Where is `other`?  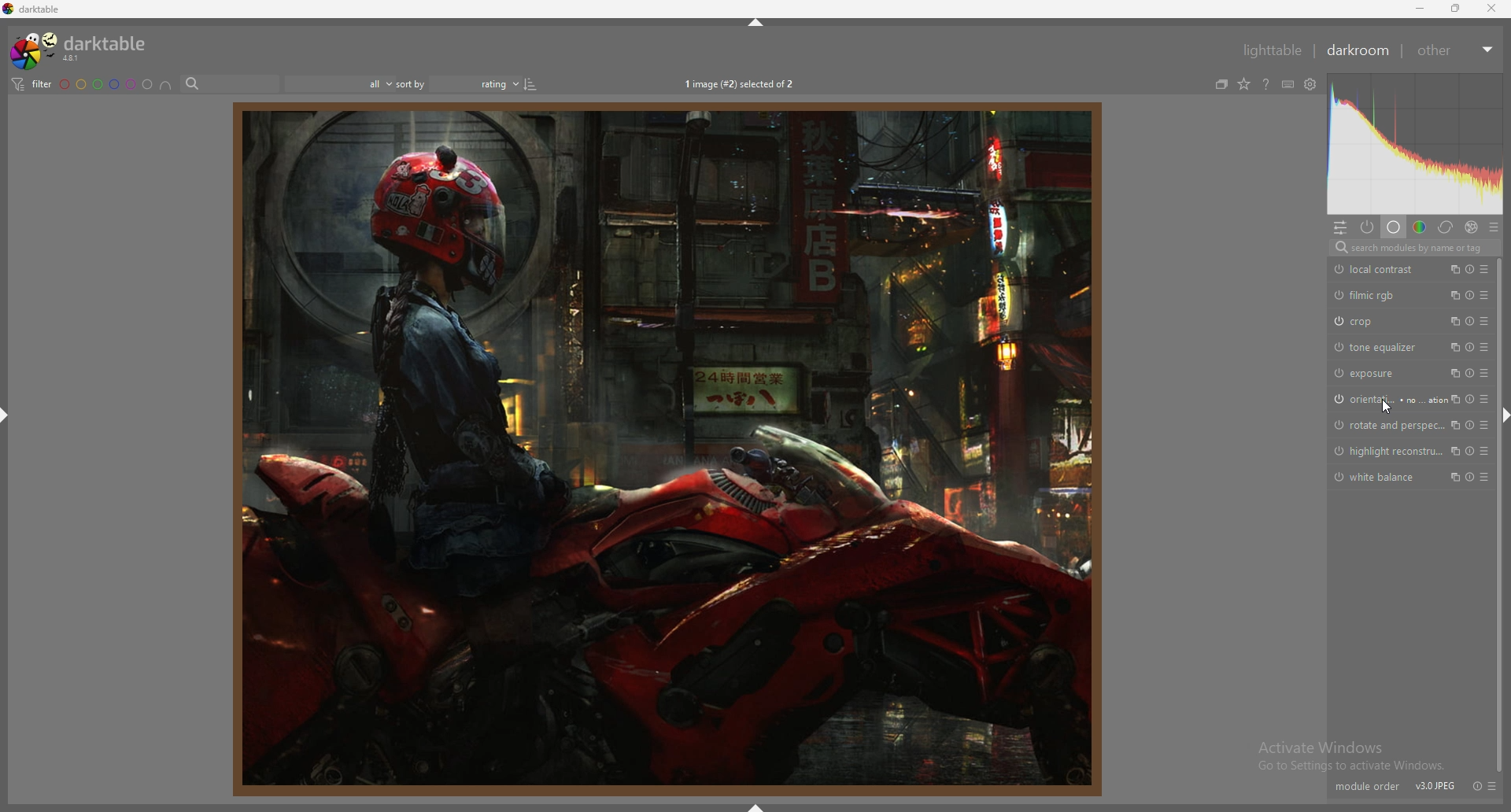
other is located at coordinates (1457, 50).